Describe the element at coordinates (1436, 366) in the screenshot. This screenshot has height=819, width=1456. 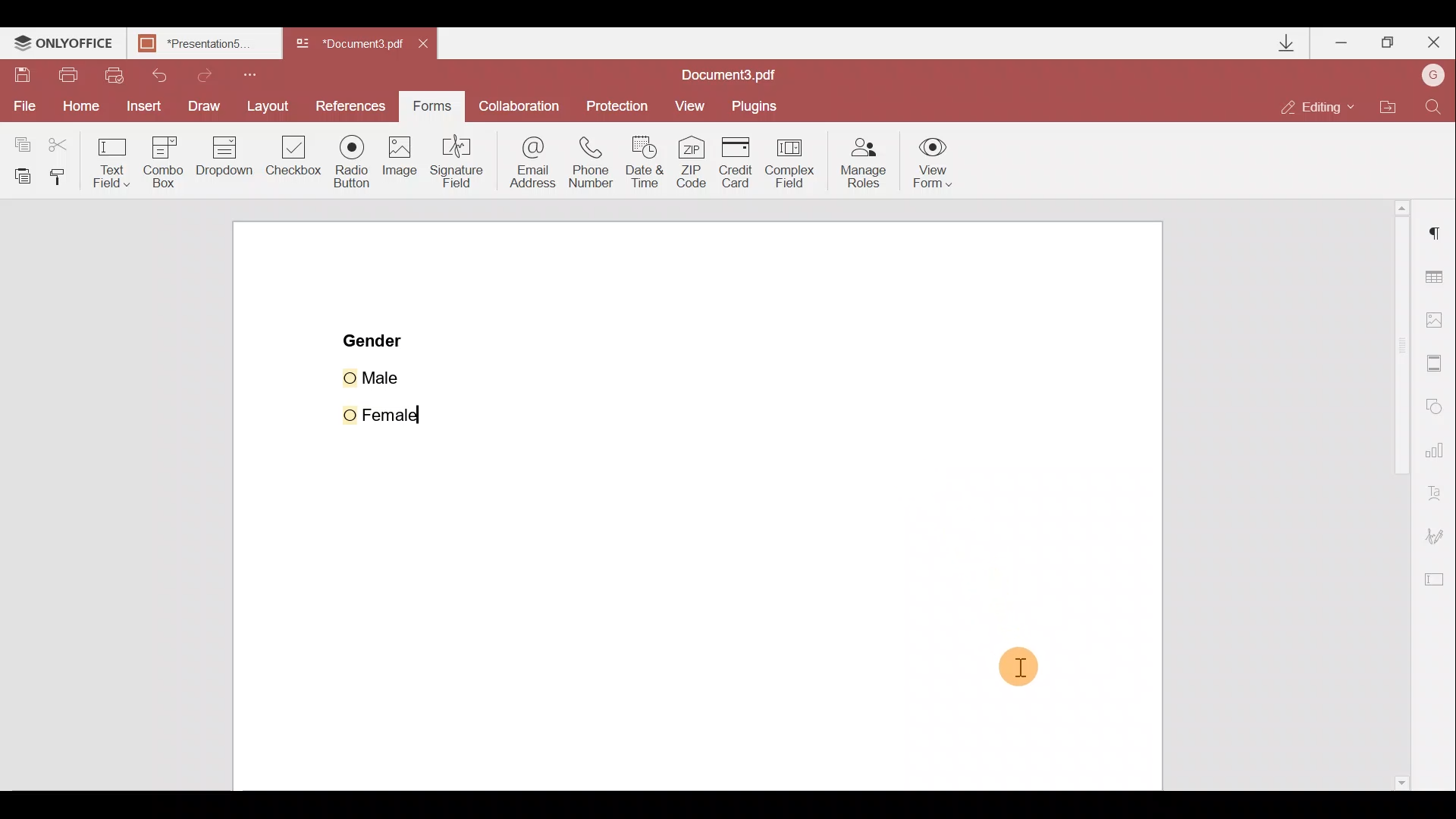
I see `Headers & footers settings` at that location.